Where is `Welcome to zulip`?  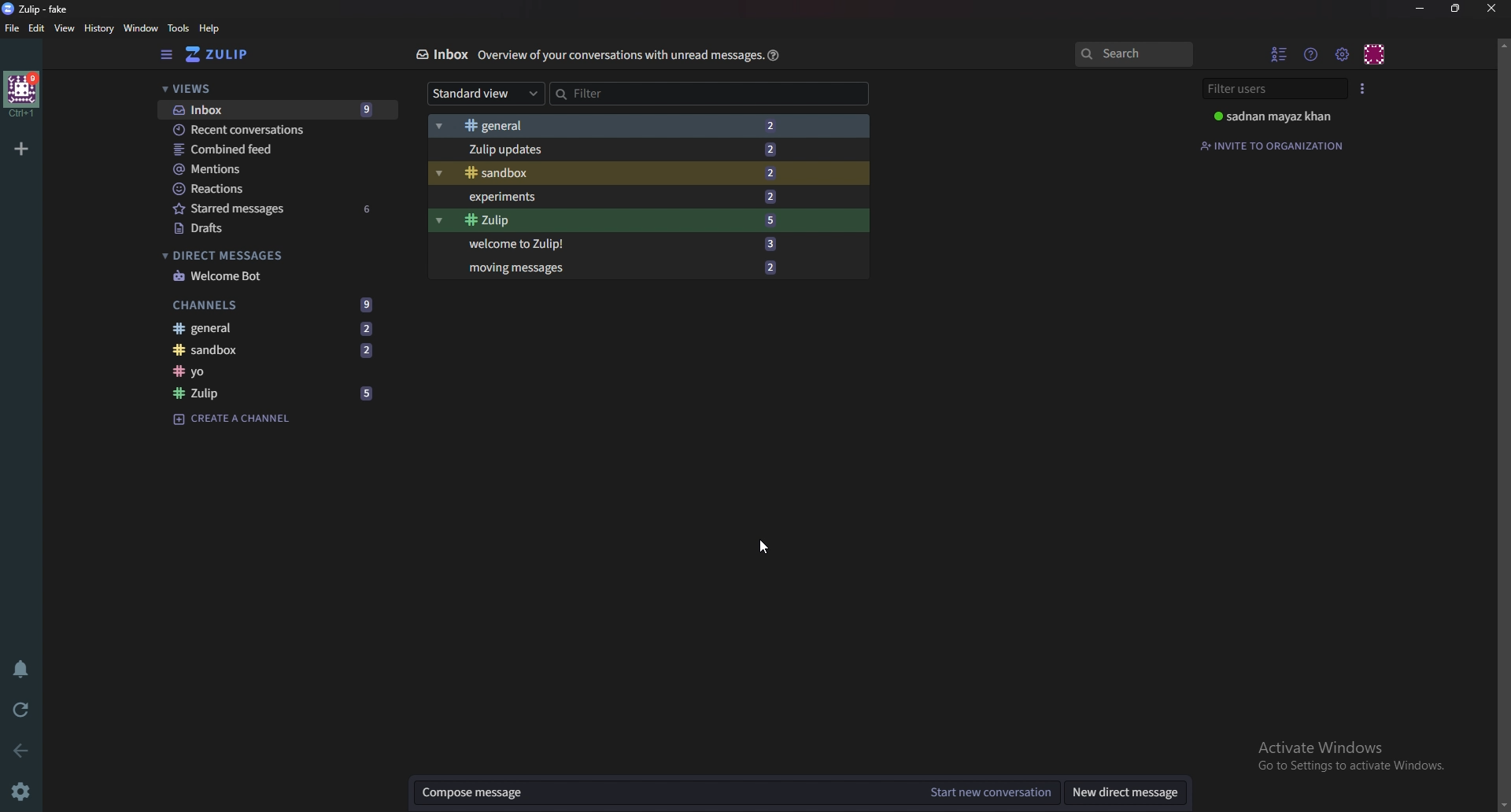
Welcome to zulip is located at coordinates (647, 243).